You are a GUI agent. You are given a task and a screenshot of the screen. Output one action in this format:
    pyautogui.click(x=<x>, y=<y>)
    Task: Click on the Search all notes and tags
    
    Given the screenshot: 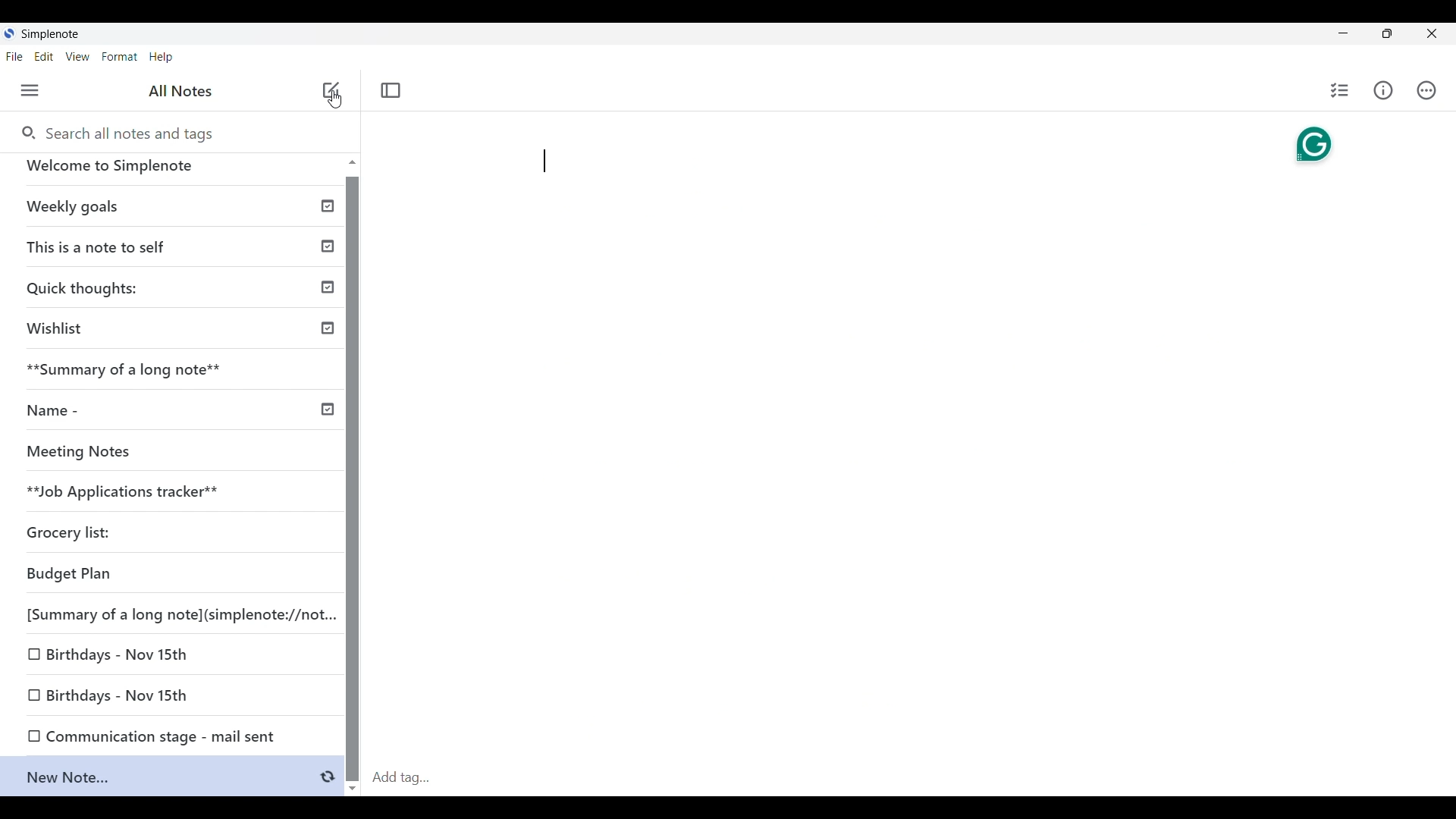 What is the action you would take?
    pyautogui.click(x=116, y=132)
    